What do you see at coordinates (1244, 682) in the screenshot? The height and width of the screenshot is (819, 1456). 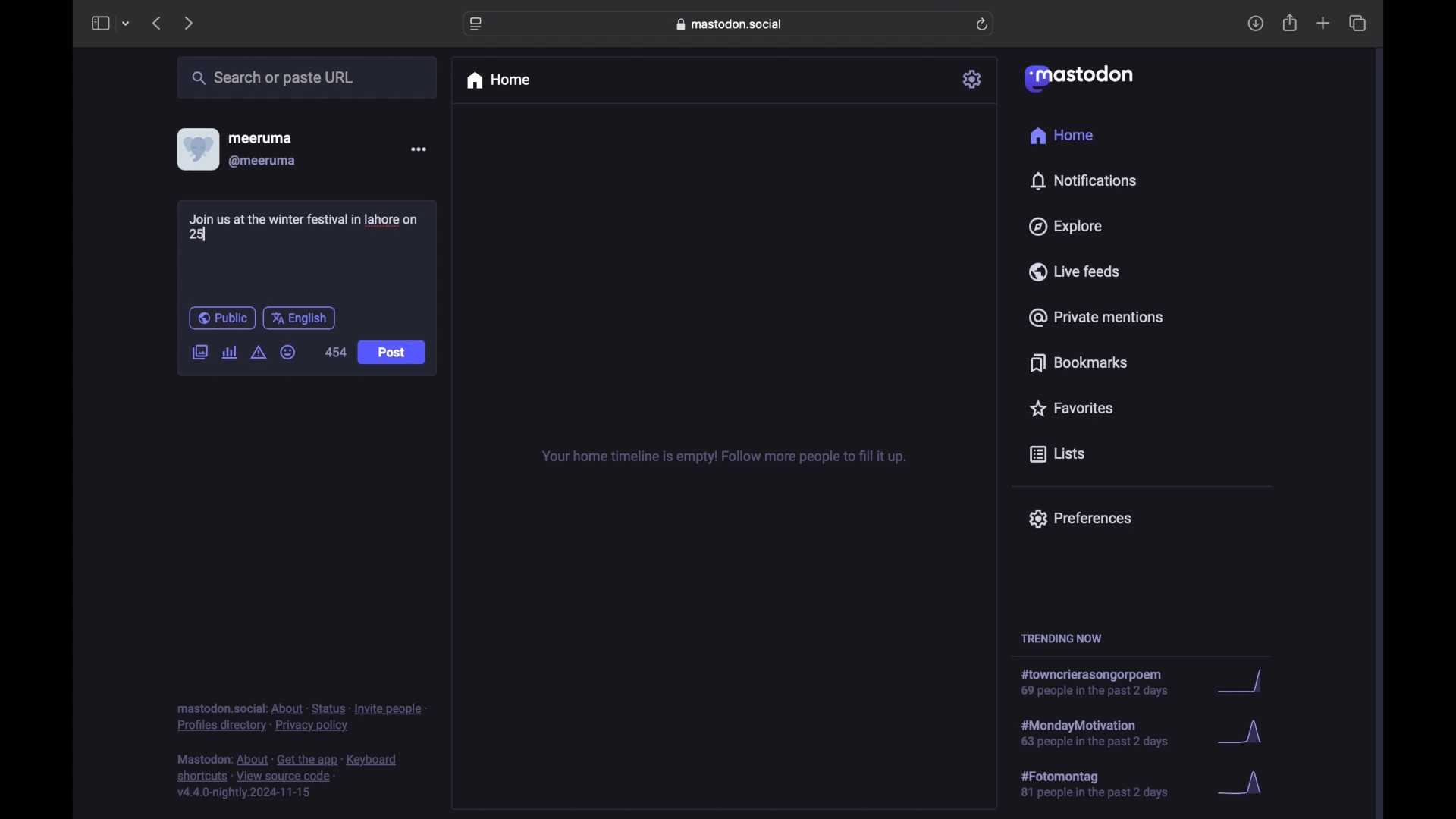 I see `graph` at bounding box center [1244, 682].